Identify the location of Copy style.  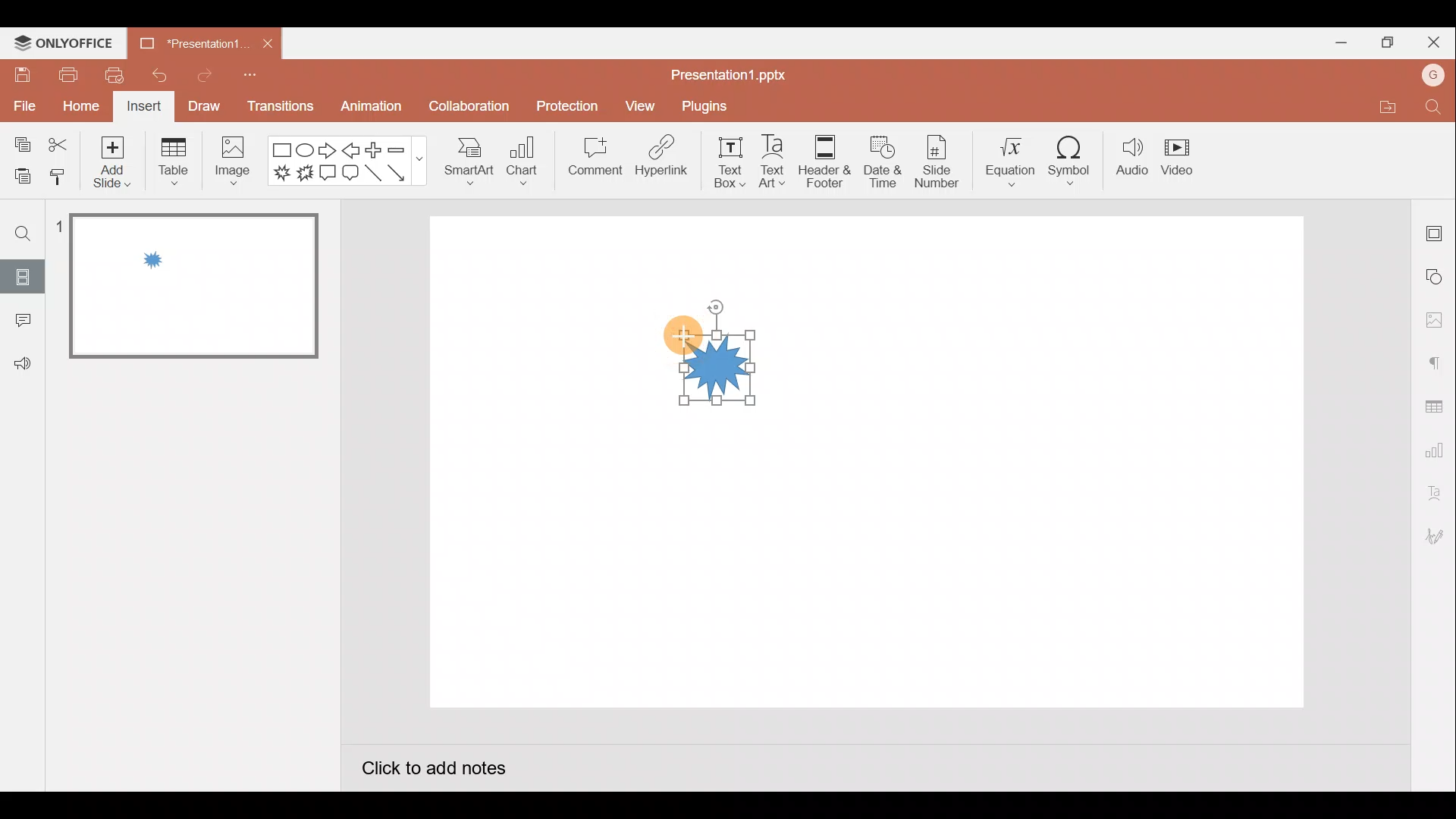
(64, 180).